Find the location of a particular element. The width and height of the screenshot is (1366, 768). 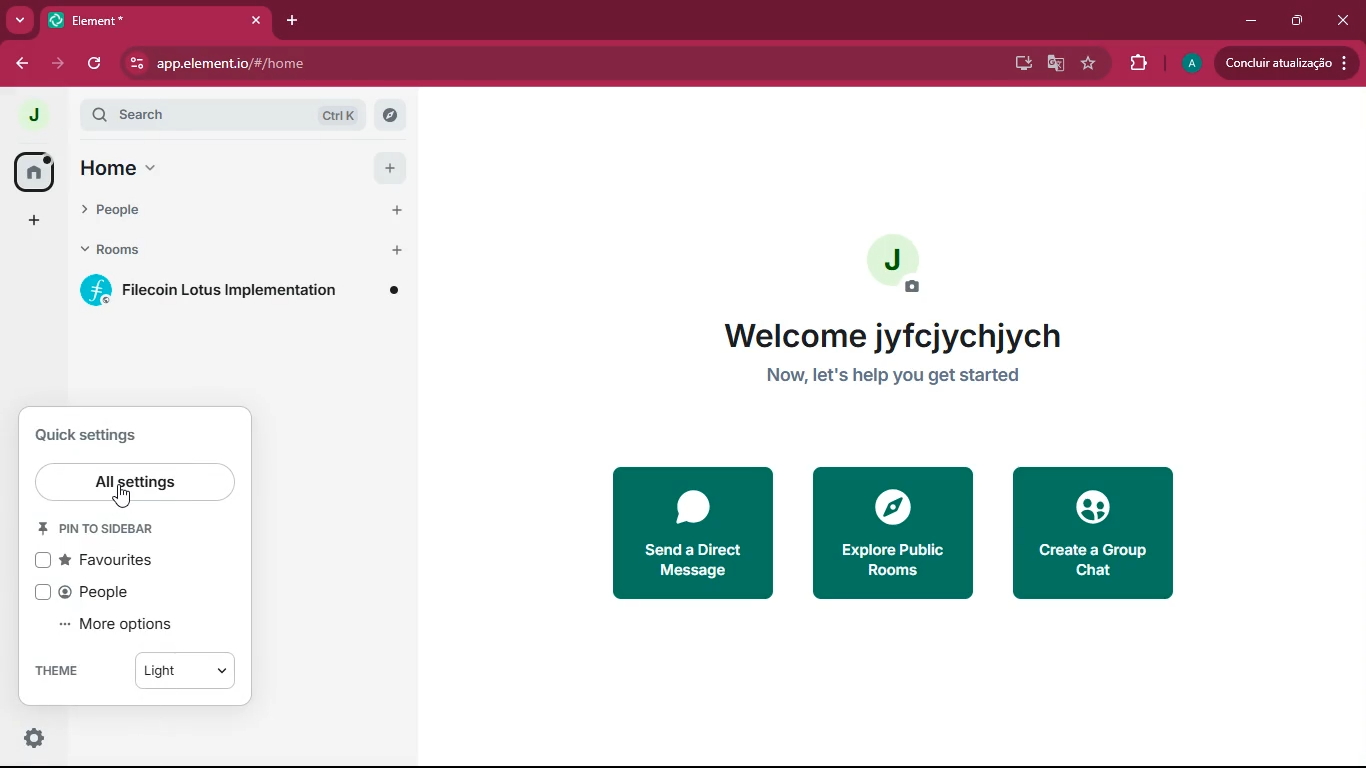

all settings is located at coordinates (134, 482).